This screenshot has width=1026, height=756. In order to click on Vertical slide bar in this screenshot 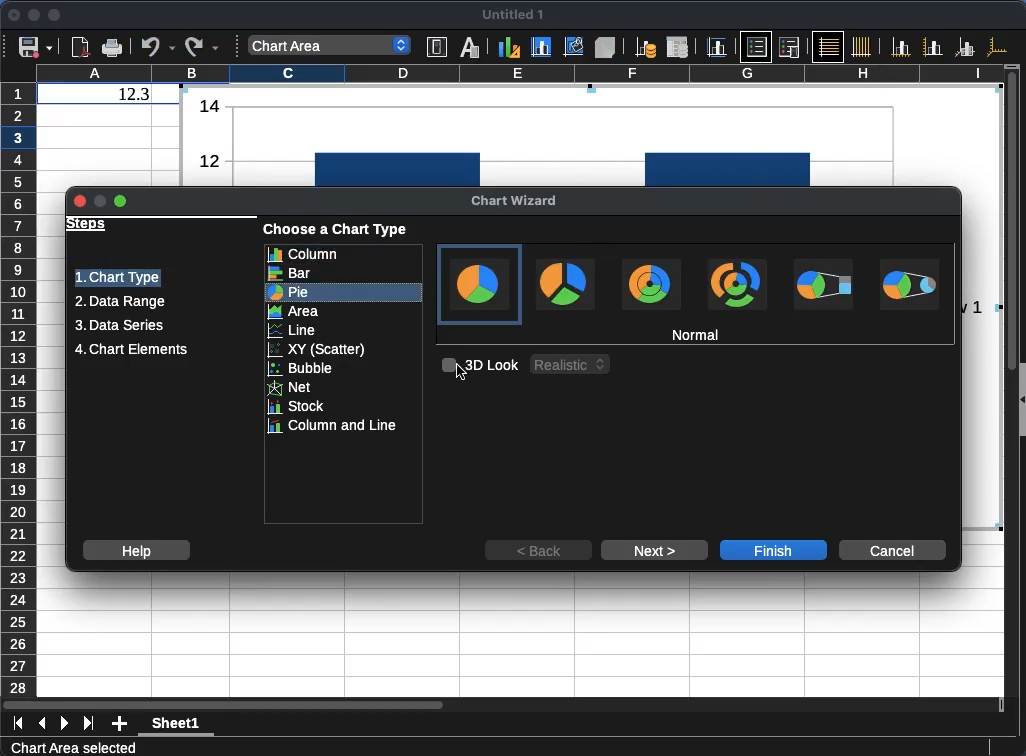, I will do `click(1012, 225)`.